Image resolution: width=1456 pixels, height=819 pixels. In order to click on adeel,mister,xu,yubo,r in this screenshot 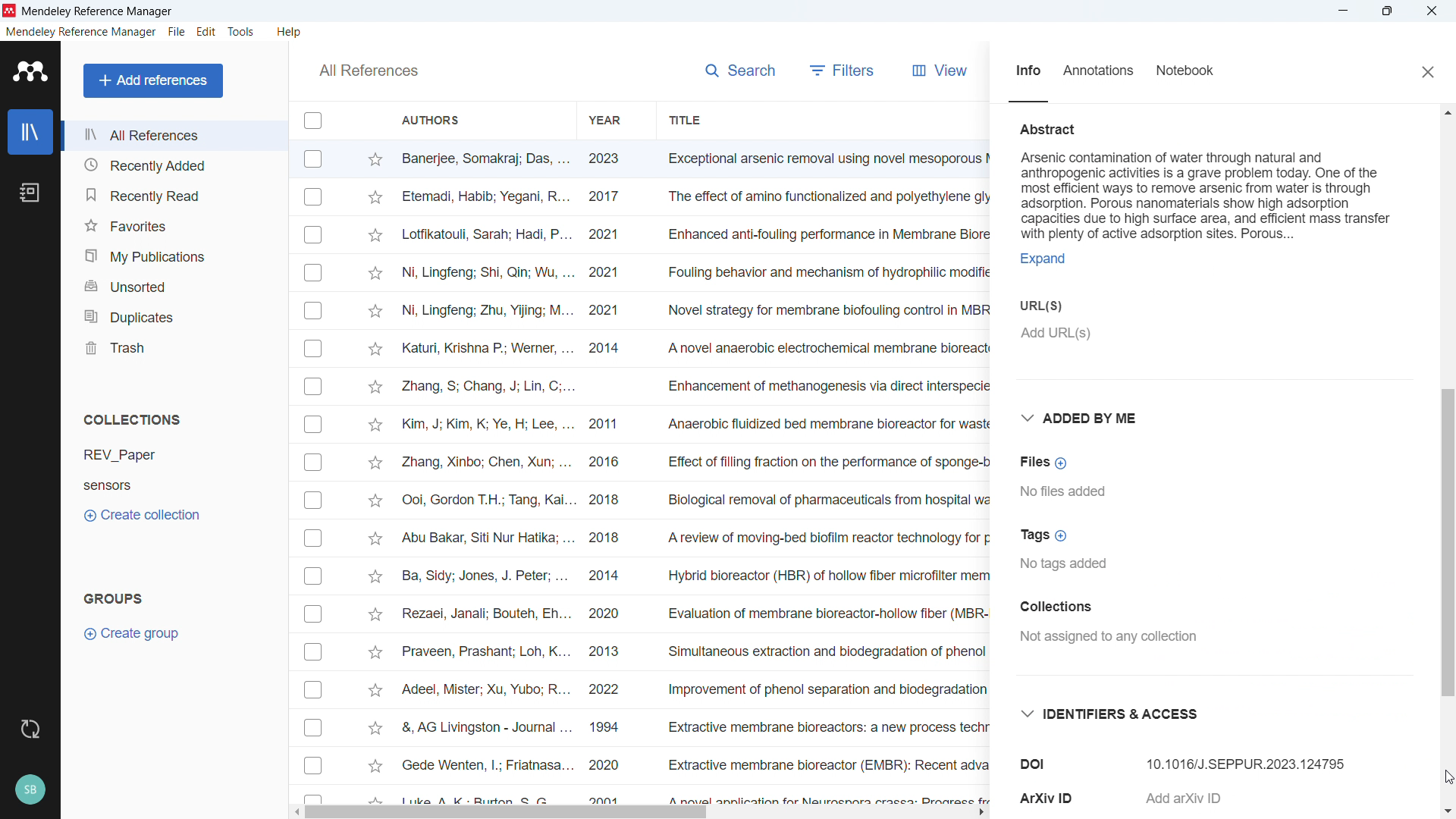, I will do `click(485, 690)`.